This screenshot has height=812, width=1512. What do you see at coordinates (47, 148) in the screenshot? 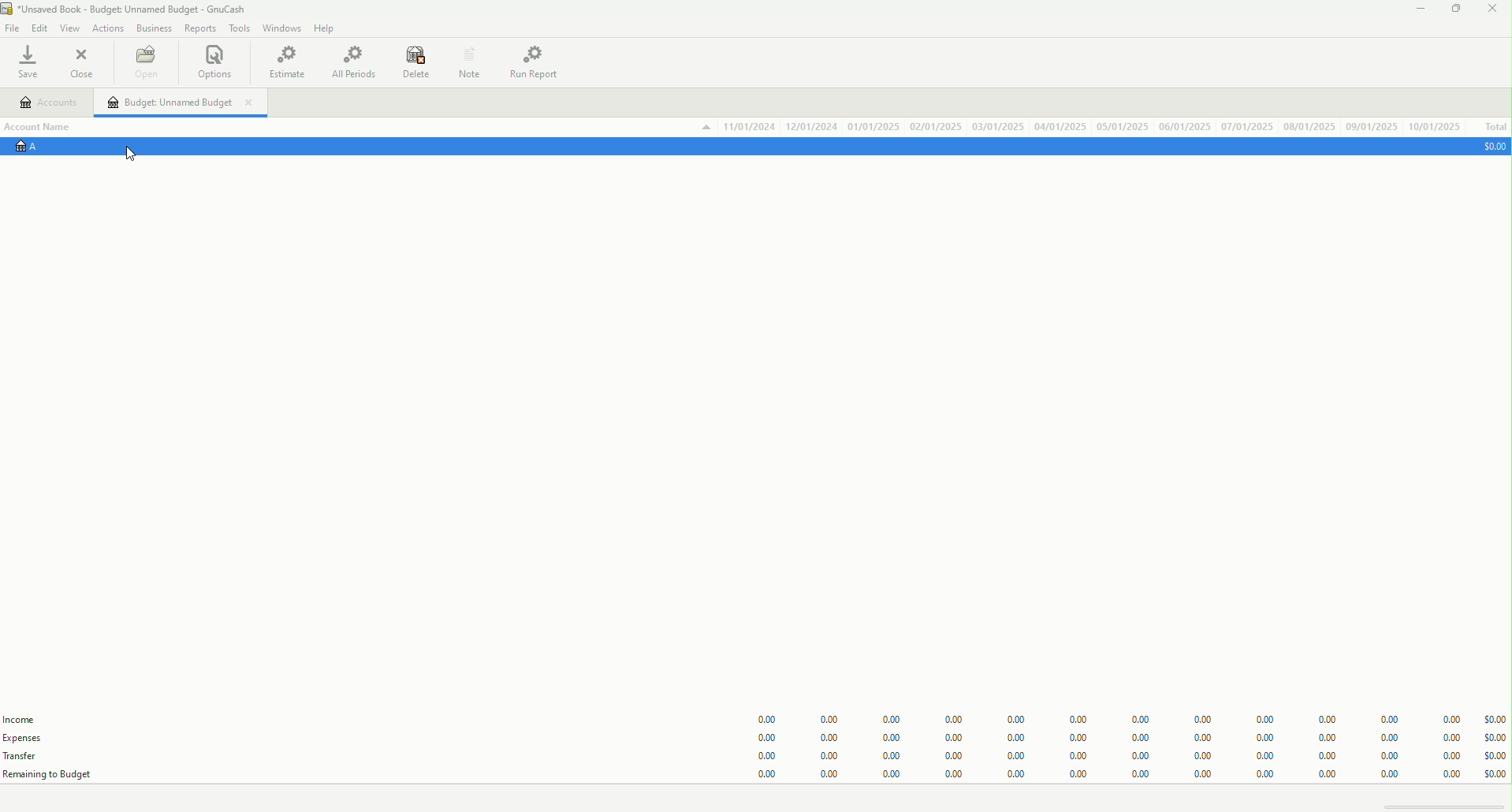
I see `Account A` at bounding box center [47, 148].